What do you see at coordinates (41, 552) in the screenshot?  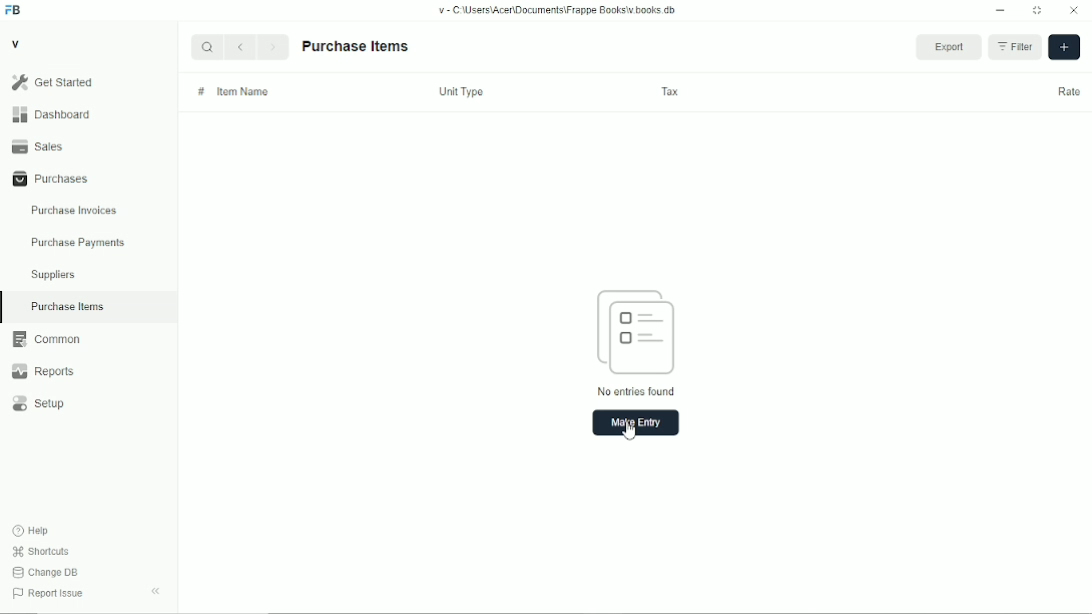 I see `shortcuts` at bounding box center [41, 552].